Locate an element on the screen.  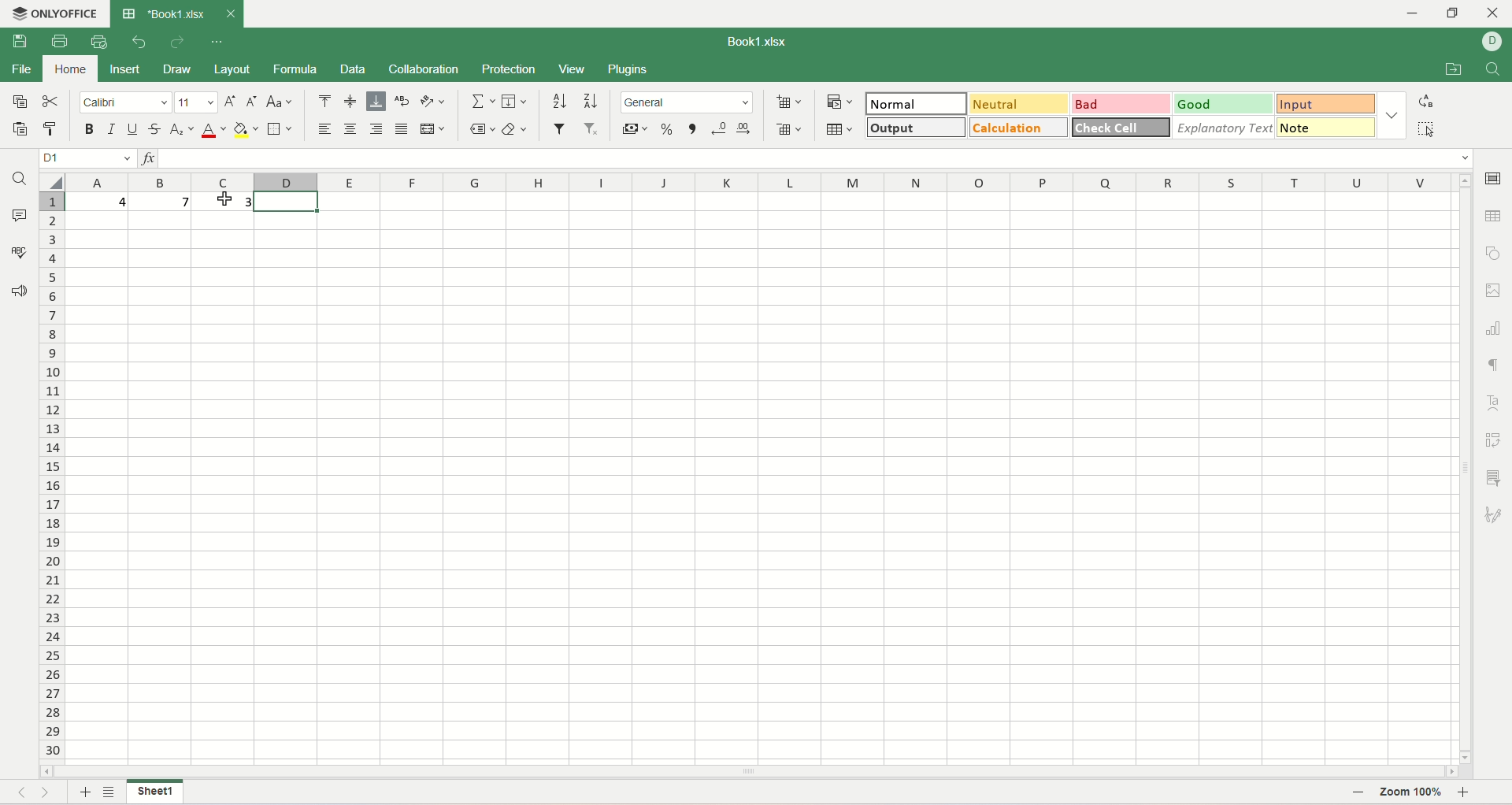
border is located at coordinates (281, 128).